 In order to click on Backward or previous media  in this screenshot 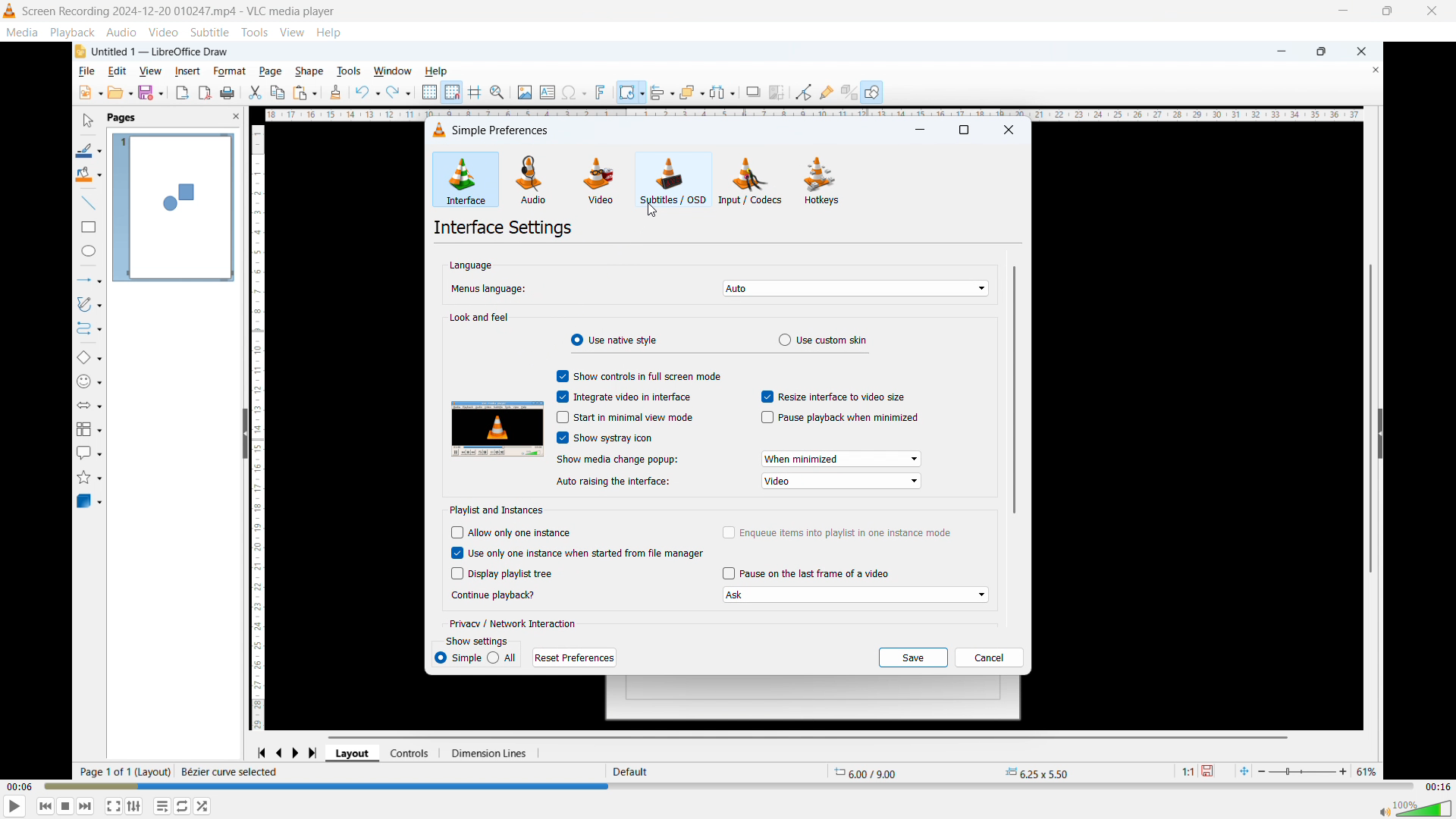, I will do `click(45, 806)`.